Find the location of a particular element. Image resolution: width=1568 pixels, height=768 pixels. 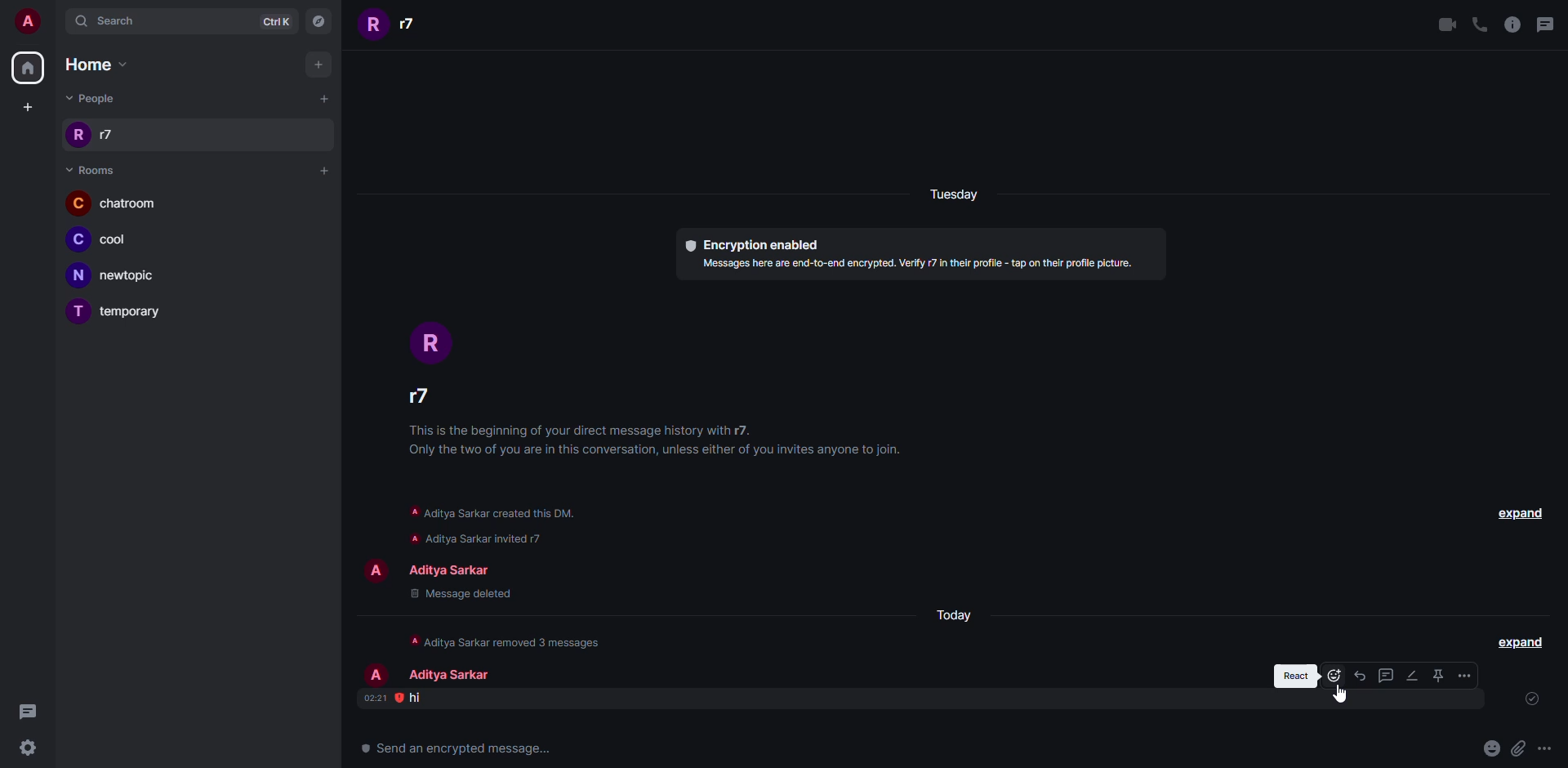

room is located at coordinates (133, 313).